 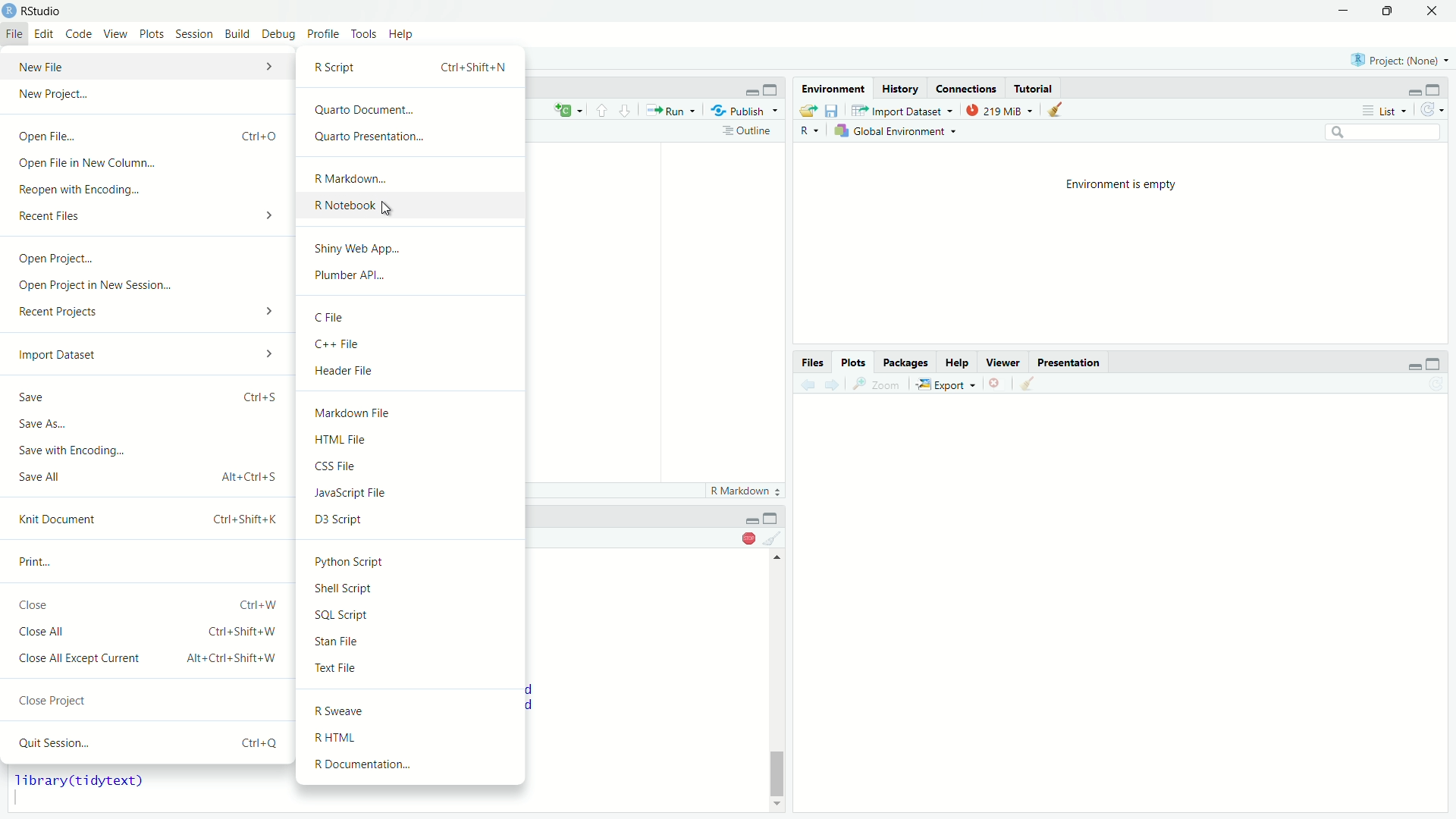 What do you see at coordinates (834, 111) in the screenshot?
I see `save workspace as` at bounding box center [834, 111].